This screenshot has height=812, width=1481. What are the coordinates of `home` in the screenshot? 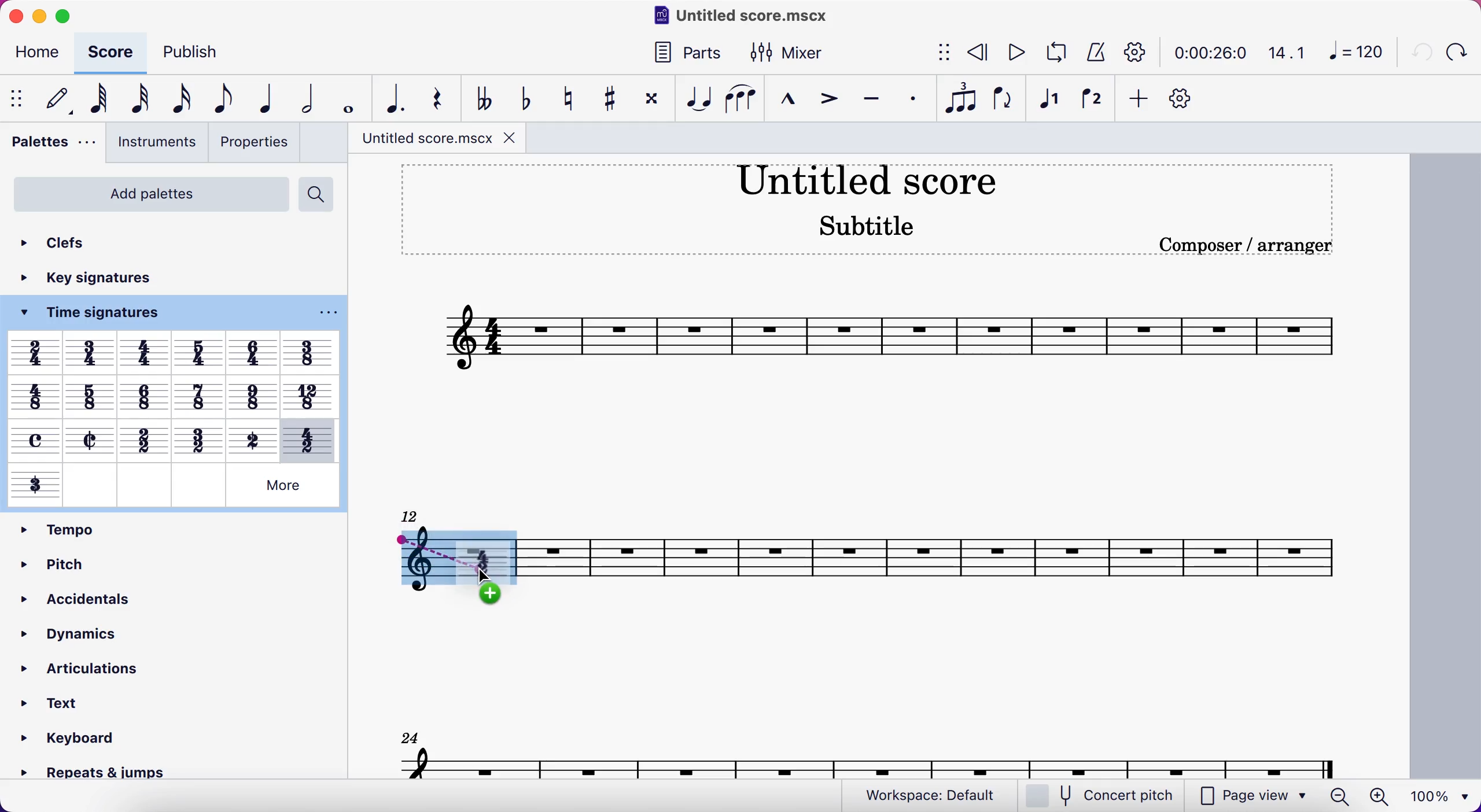 It's located at (32, 55).